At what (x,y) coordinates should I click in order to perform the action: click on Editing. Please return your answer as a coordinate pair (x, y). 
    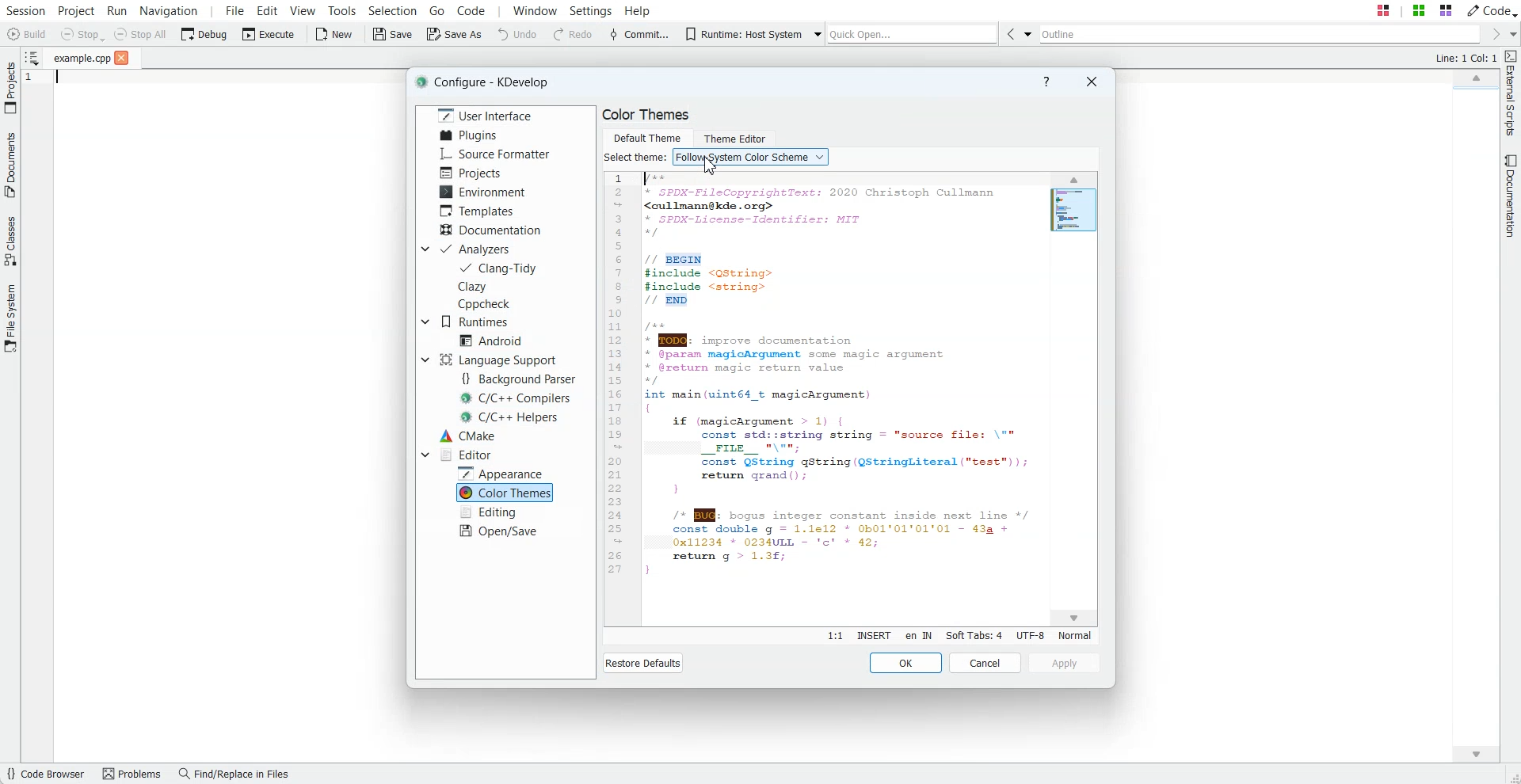
    Looking at the image, I should click on (491, 512).